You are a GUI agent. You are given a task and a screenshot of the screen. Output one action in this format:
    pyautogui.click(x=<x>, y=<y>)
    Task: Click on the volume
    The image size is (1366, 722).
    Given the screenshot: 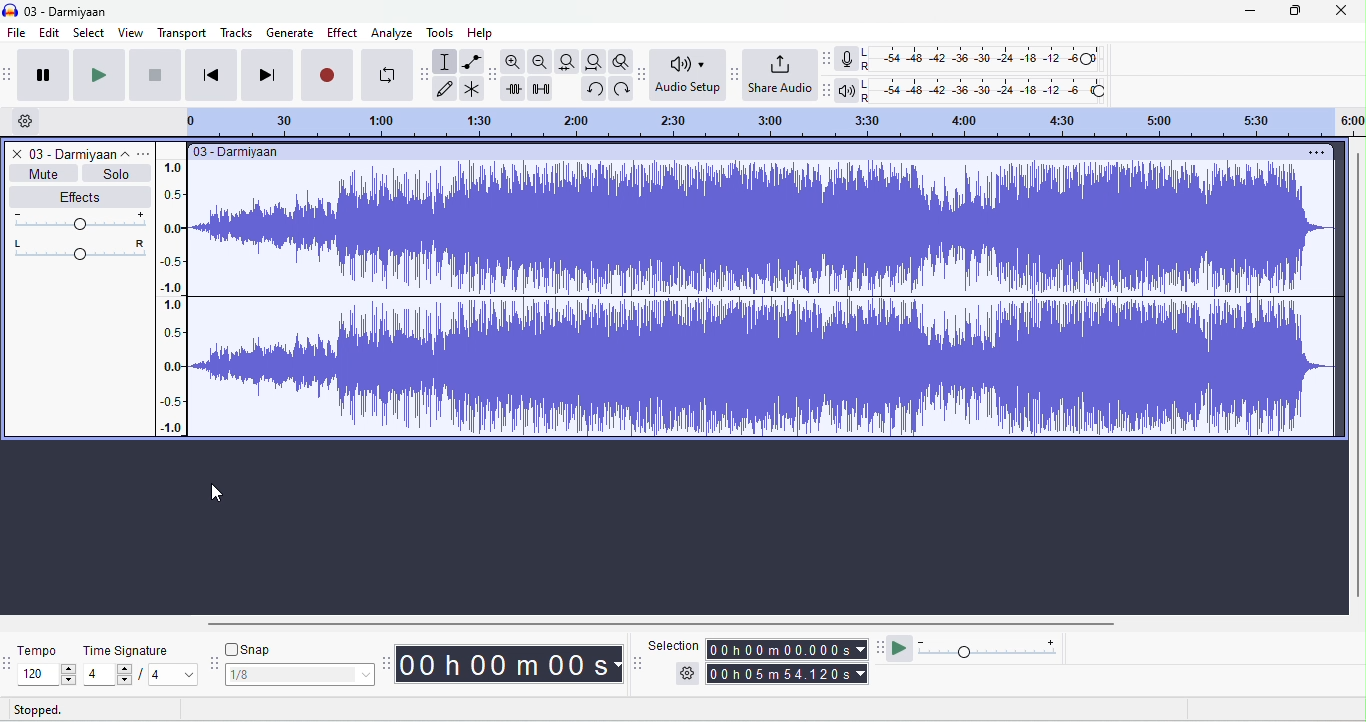 What is the action you would take?
    pyautogui.click(x=76, y=222)
    